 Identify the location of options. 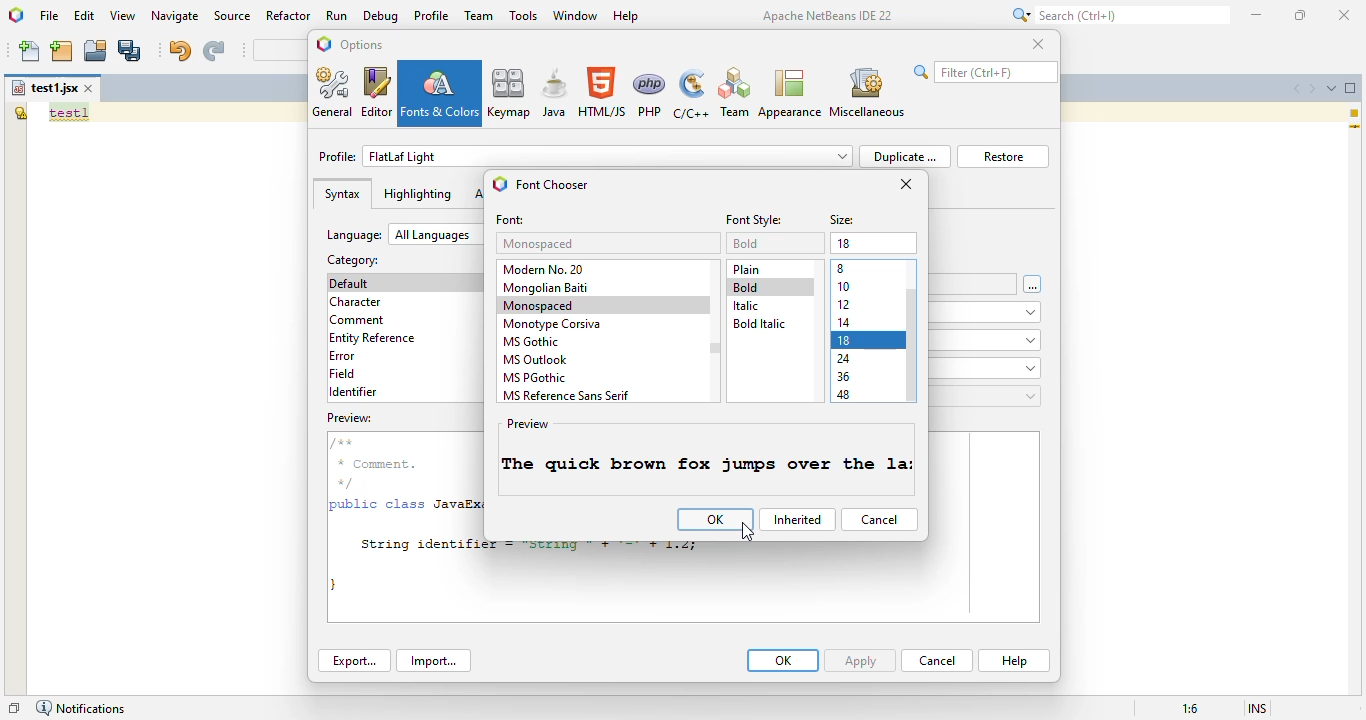
(363, 45).